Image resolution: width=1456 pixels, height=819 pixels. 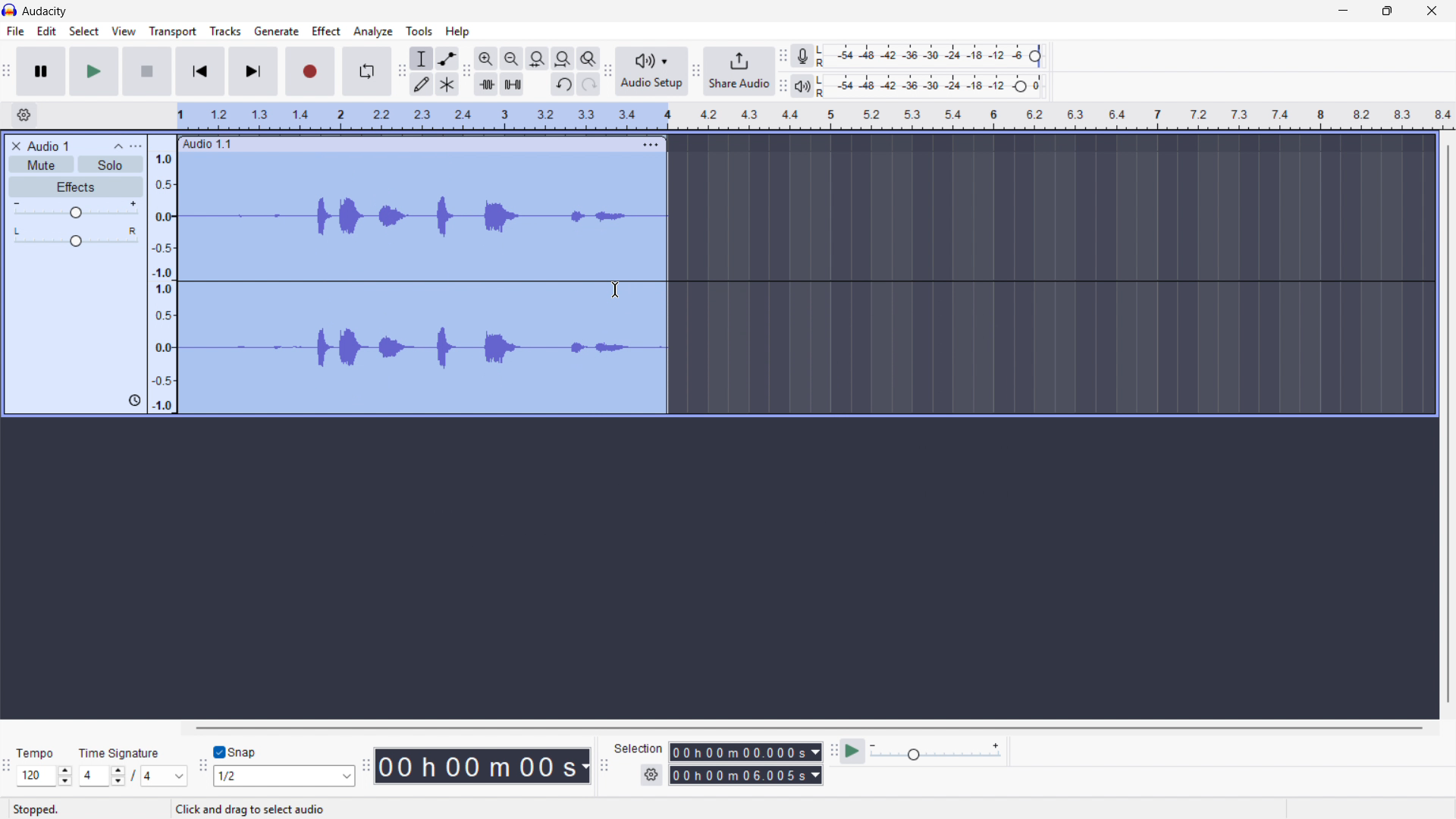 What do you see at coordinates (604, 766) in the screenshot?
I see `selection toolbar` at bounding box center [604, 766].